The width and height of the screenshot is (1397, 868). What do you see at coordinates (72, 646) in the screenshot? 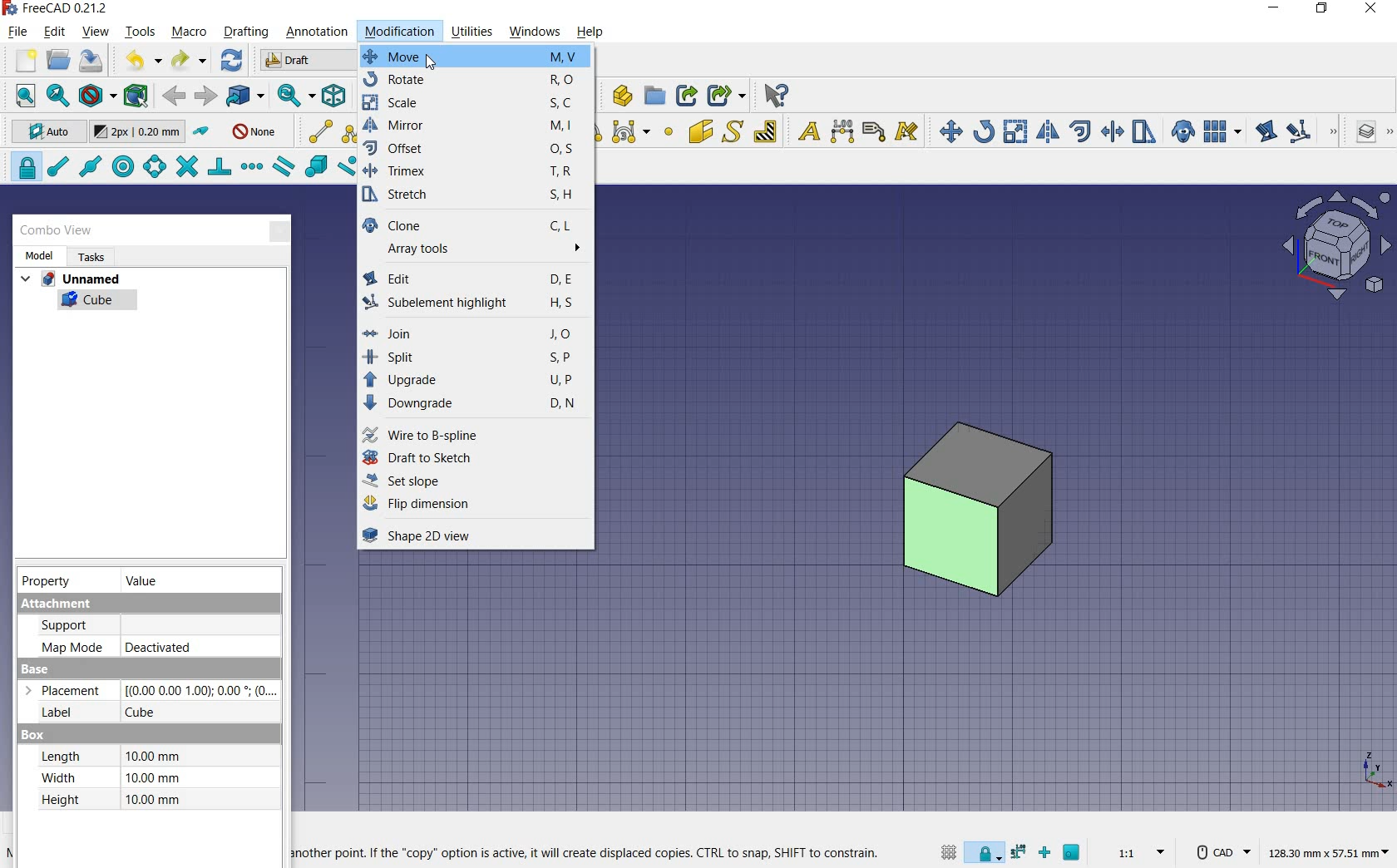
I see `Map mode` at bounding box center [72, 646].